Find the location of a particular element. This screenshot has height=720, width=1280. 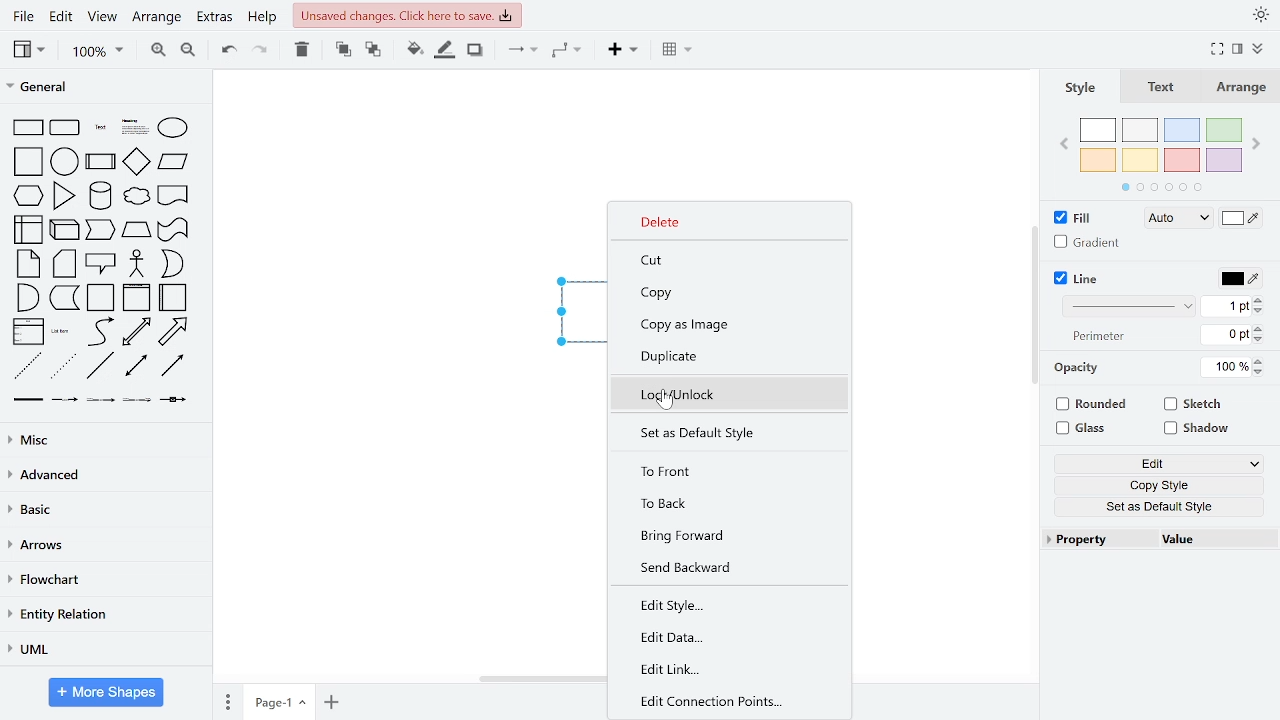

advanced is located at coordinates (106, 476).